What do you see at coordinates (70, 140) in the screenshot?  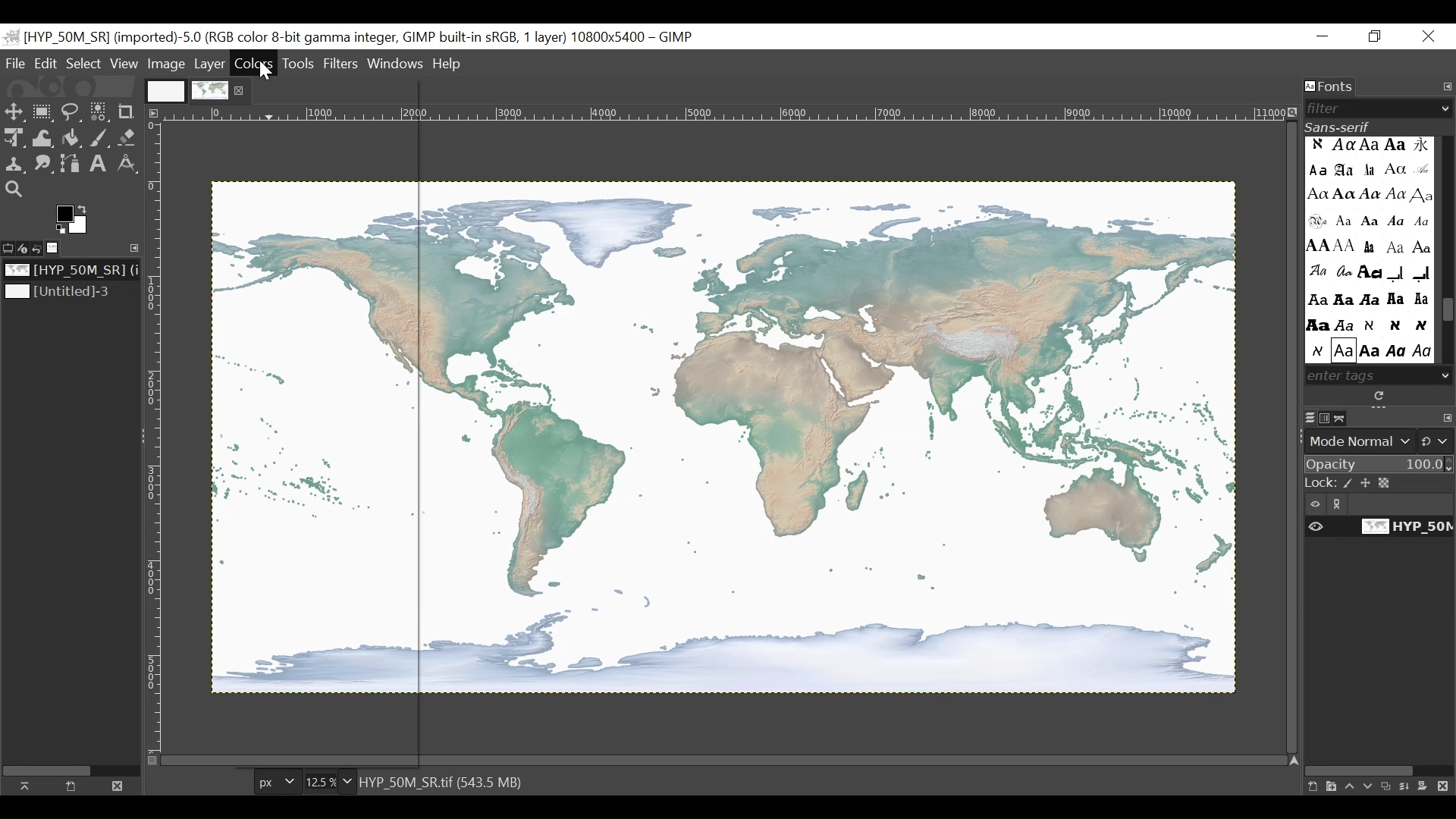 I see `Fill` at bounding box center [70, 140].